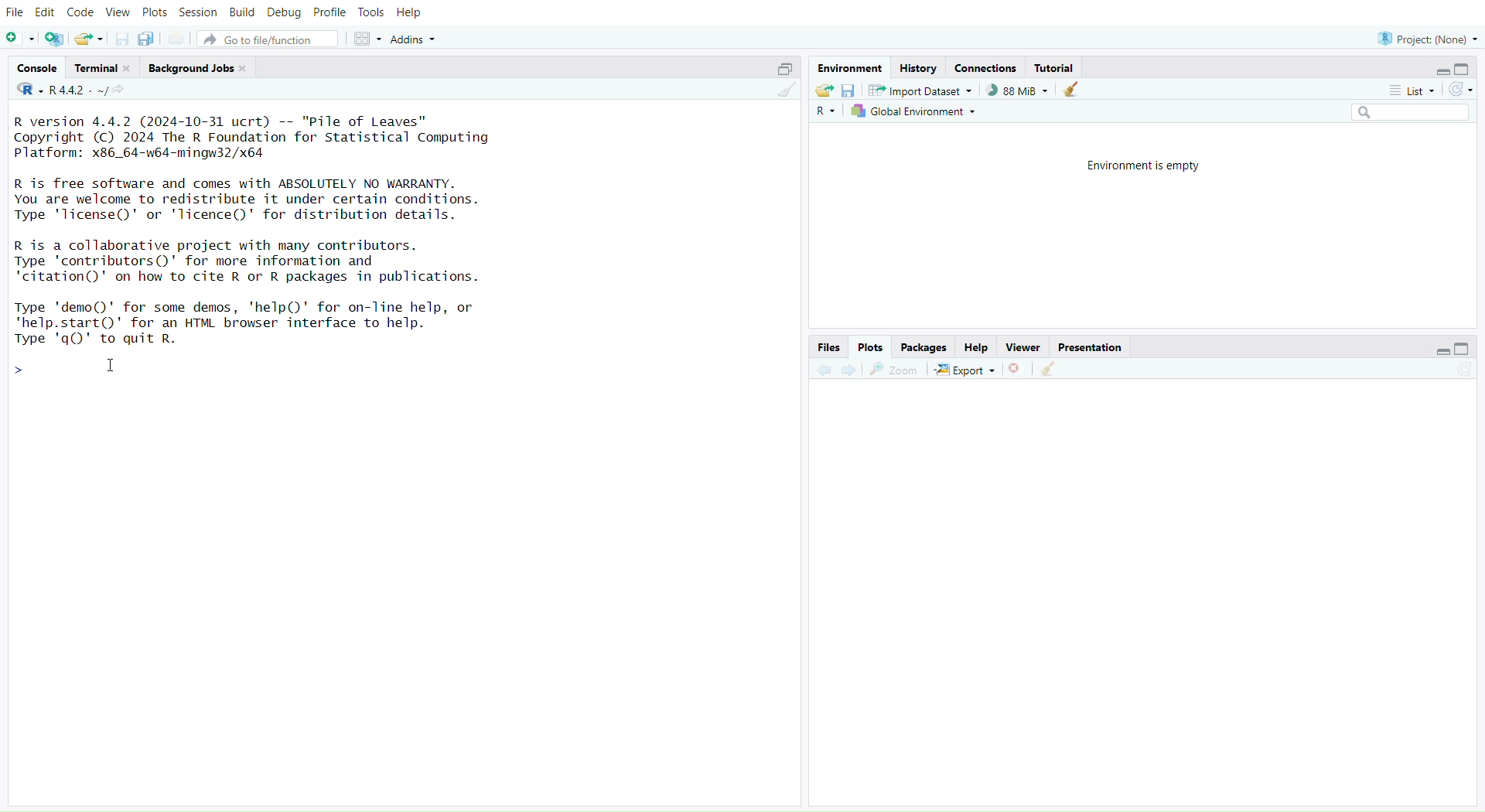 The image size is (1485, 812). I want to click on export, so click(967, 370).